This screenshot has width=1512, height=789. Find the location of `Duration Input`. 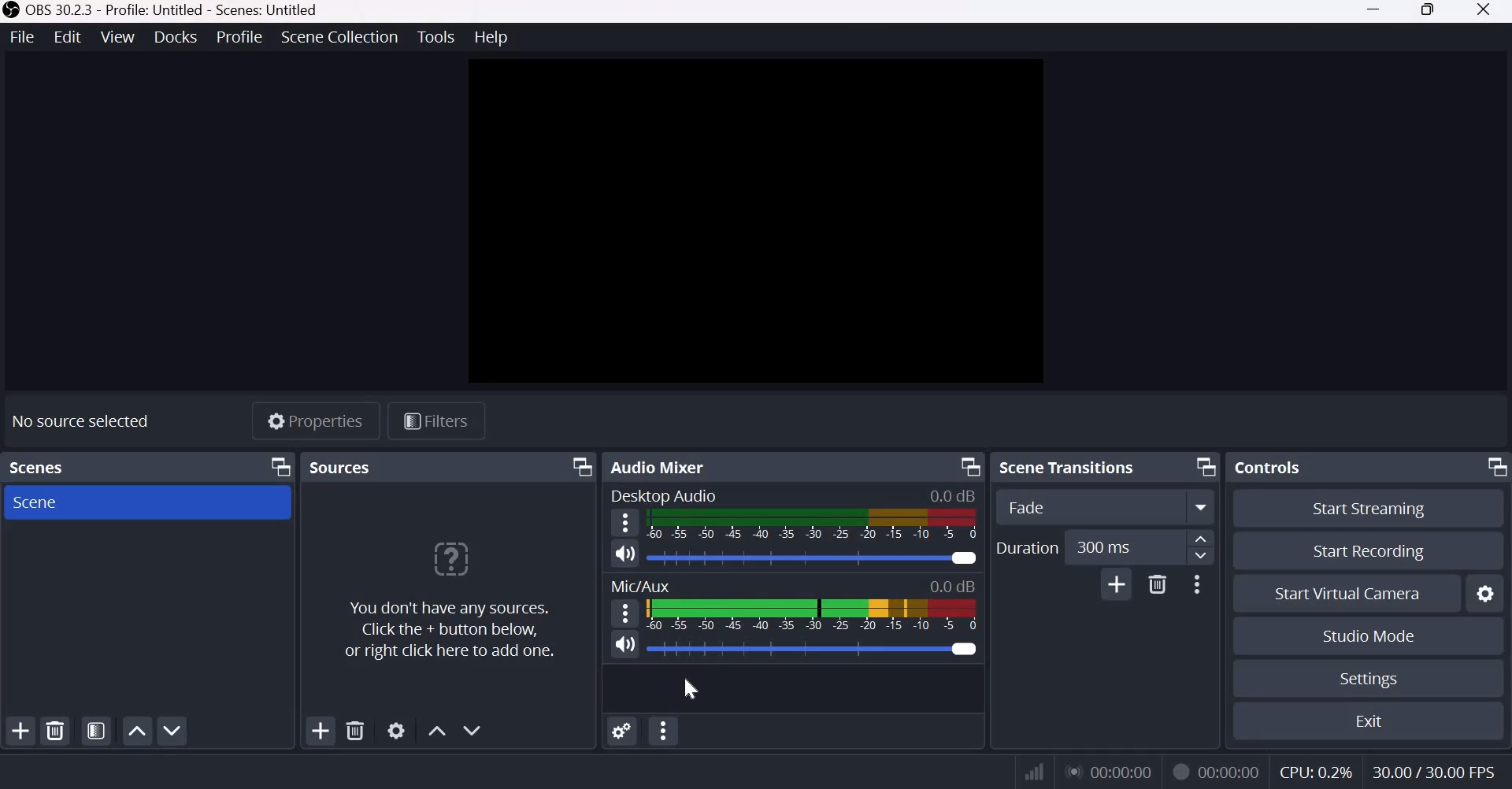

Duration Input is located at coordinates (1140, 546).